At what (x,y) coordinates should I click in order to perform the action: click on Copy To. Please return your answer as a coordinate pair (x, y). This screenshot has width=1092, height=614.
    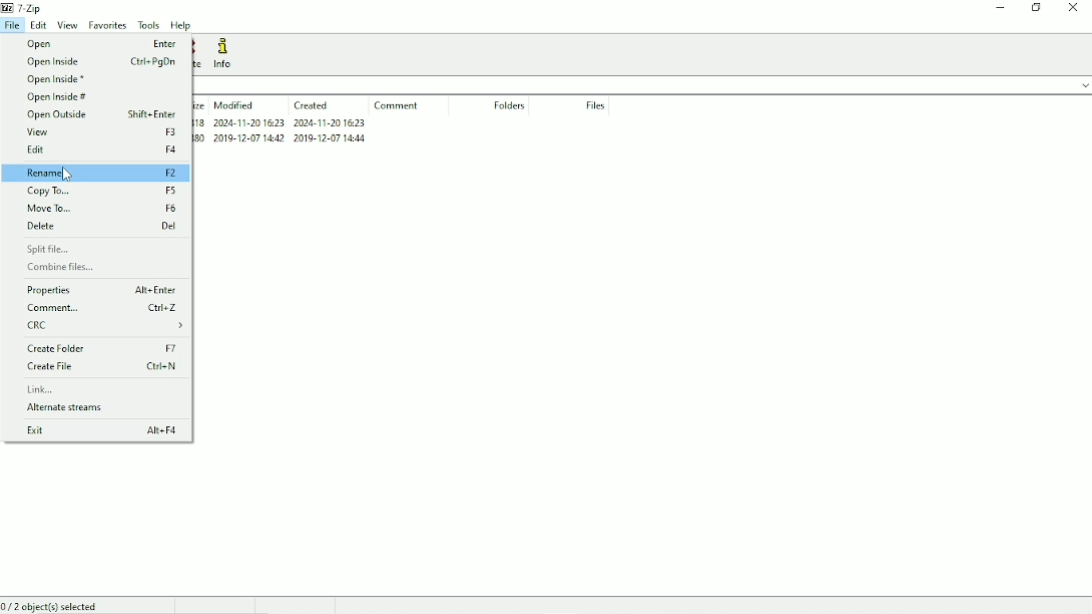
    Looking at the image, I should click on (102, 192).